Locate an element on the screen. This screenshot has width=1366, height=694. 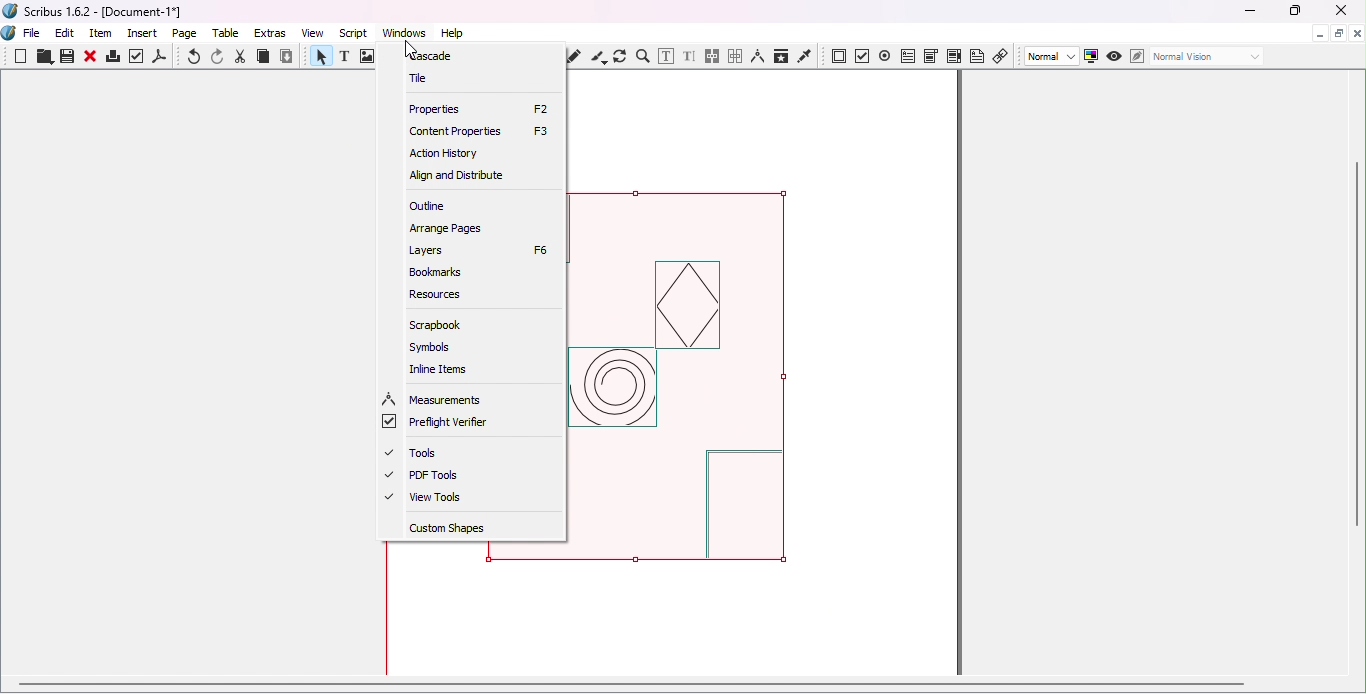
Align and Distribute is located at coordinates (453, 176).